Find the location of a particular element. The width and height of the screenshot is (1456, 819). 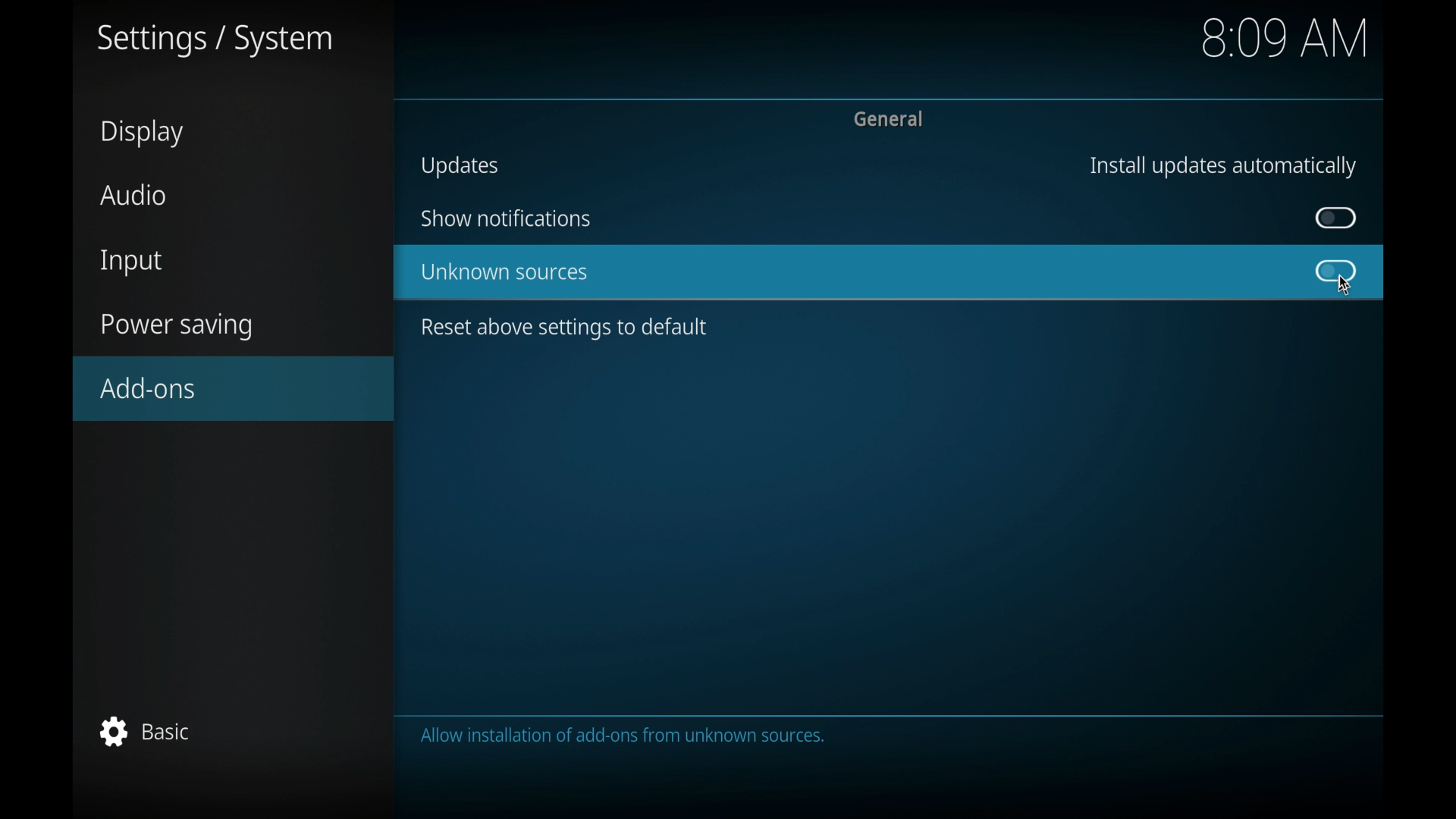

display is located at coordinates (145, 133).